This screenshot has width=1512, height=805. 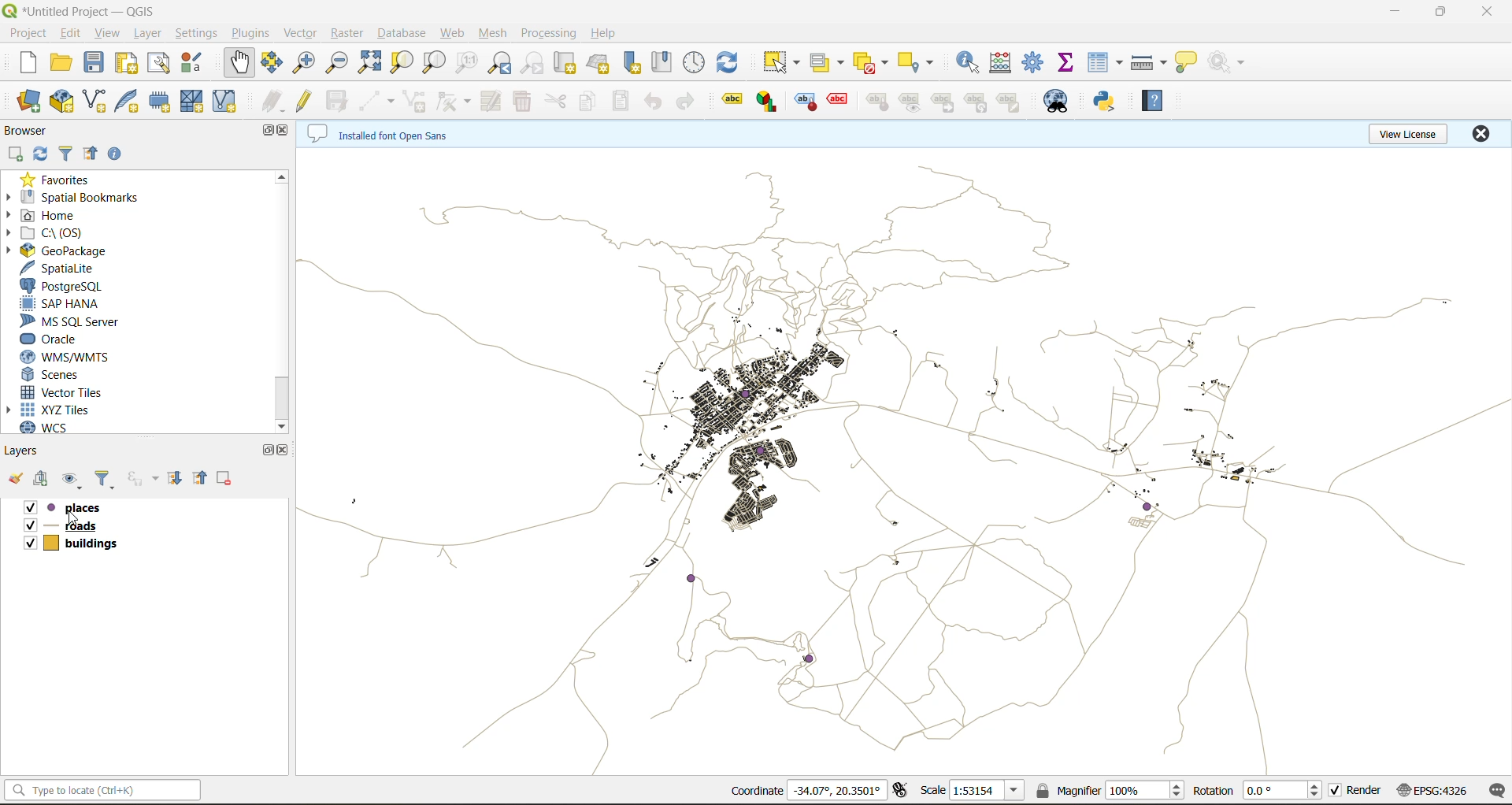 I want to click on cursor, so click(x=72, y=517).